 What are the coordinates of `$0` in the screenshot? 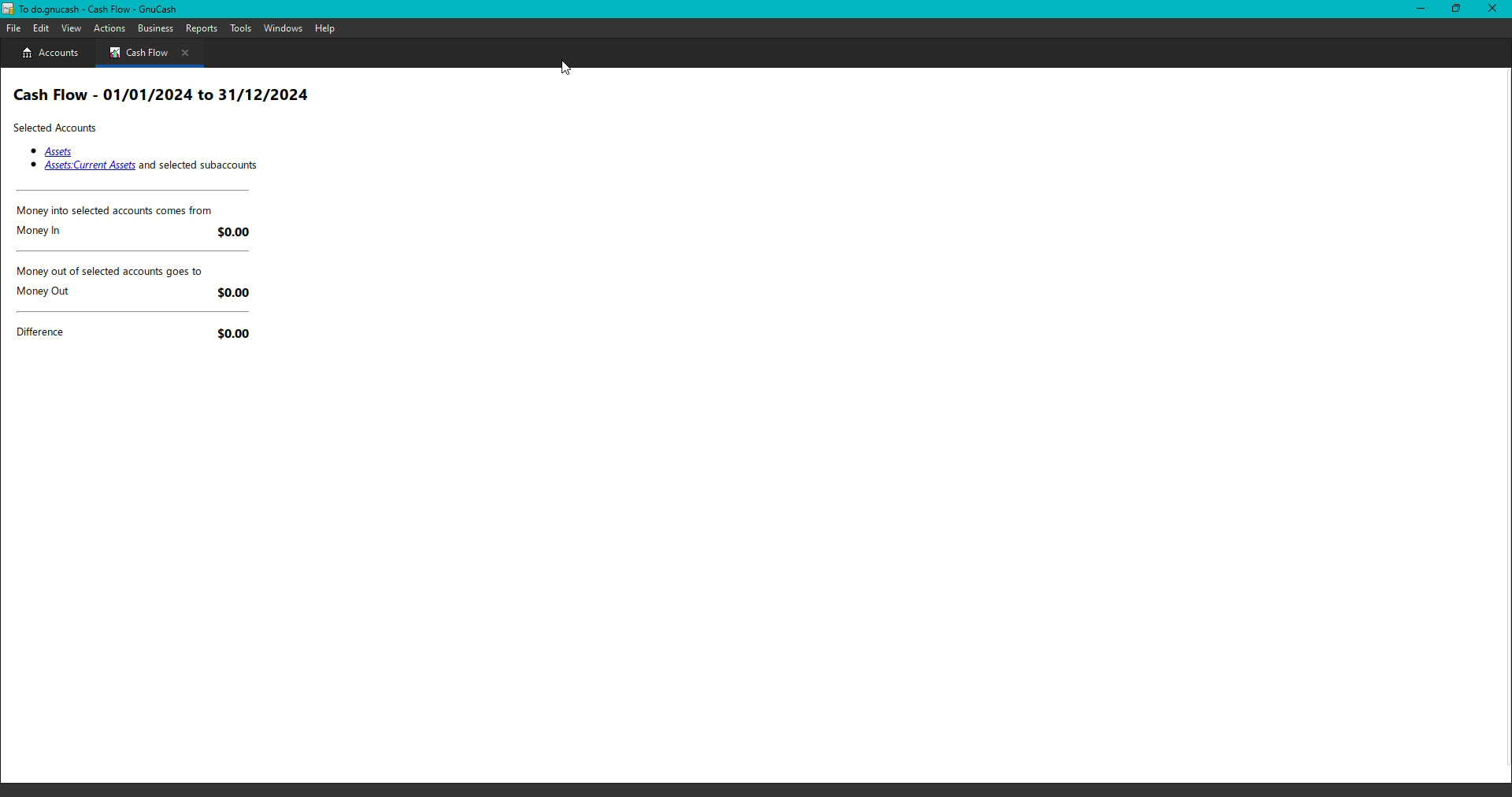 It's located at (235, 335).